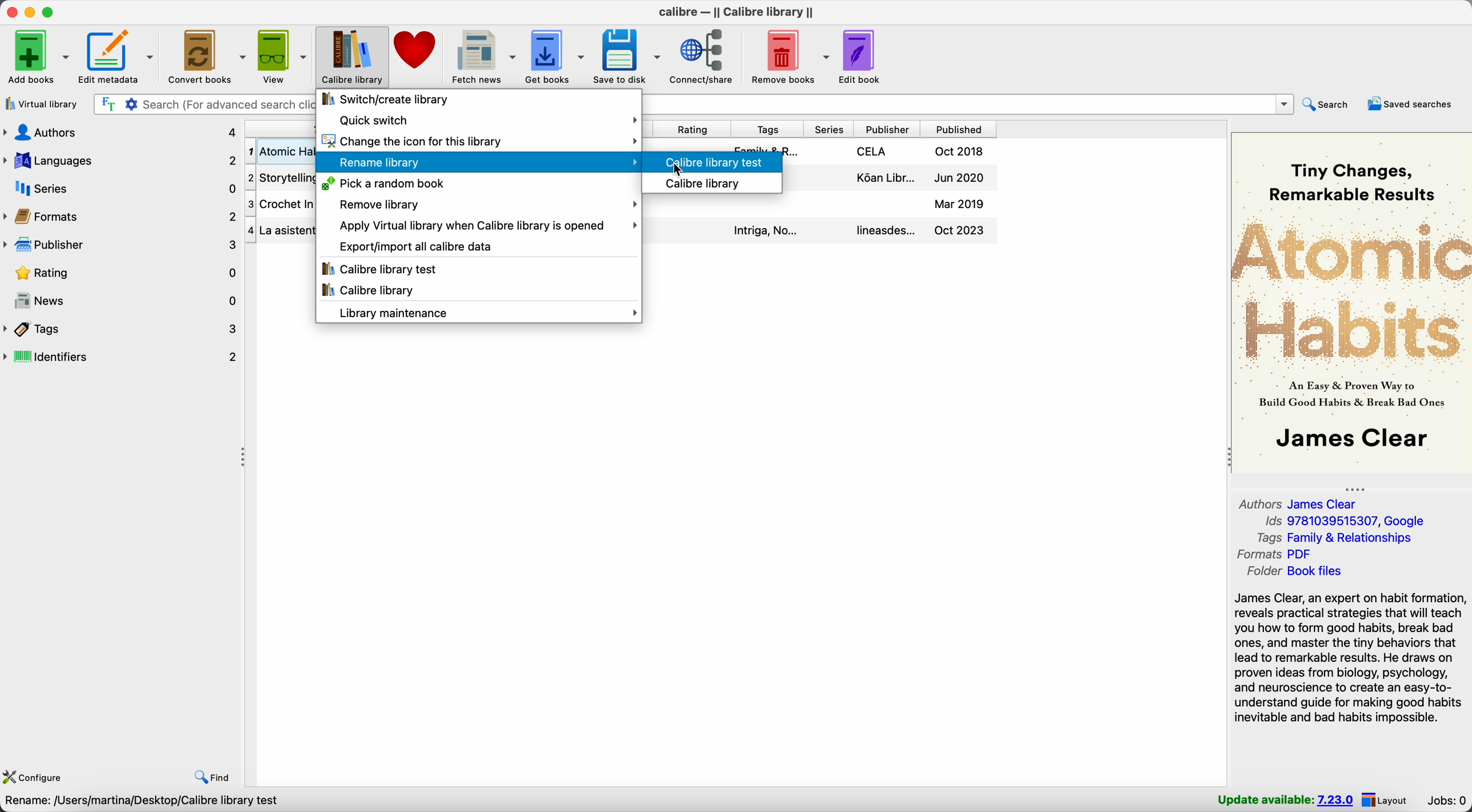  I want to click on layout, so click(1386, 800).